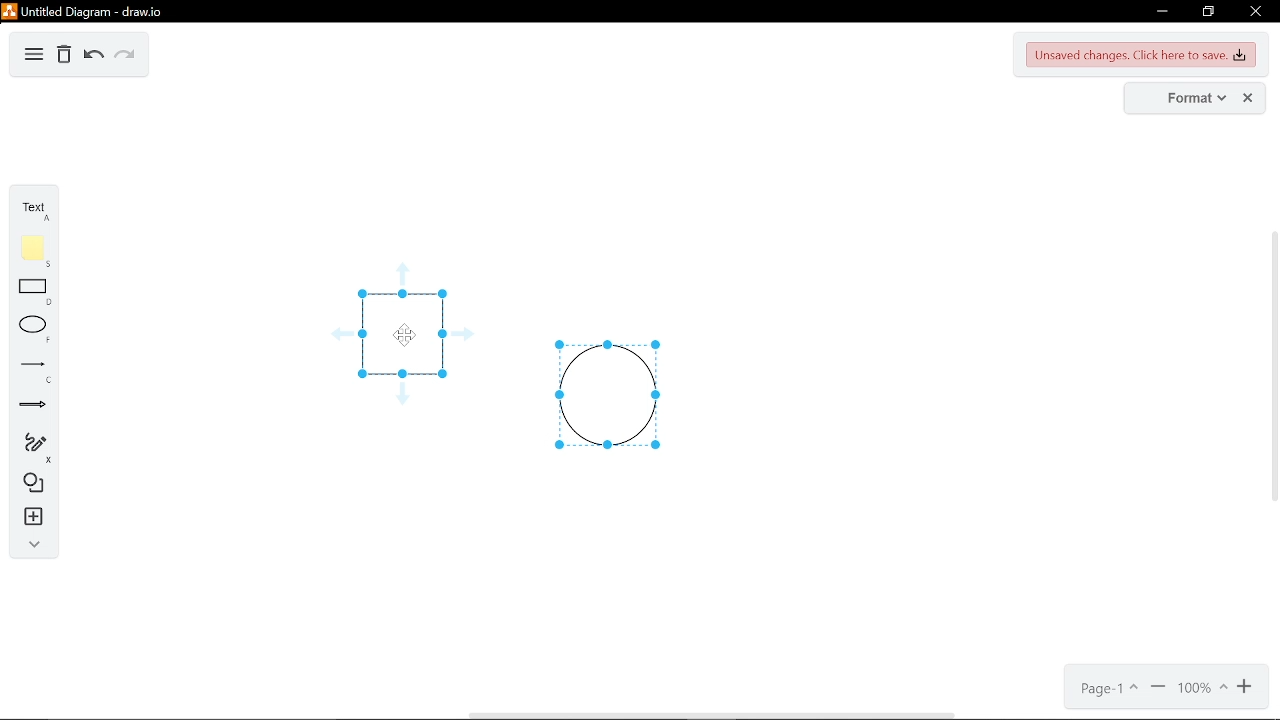 This screenshot has width=1280, height=720. I want to click on current page, so click(1104, 691).